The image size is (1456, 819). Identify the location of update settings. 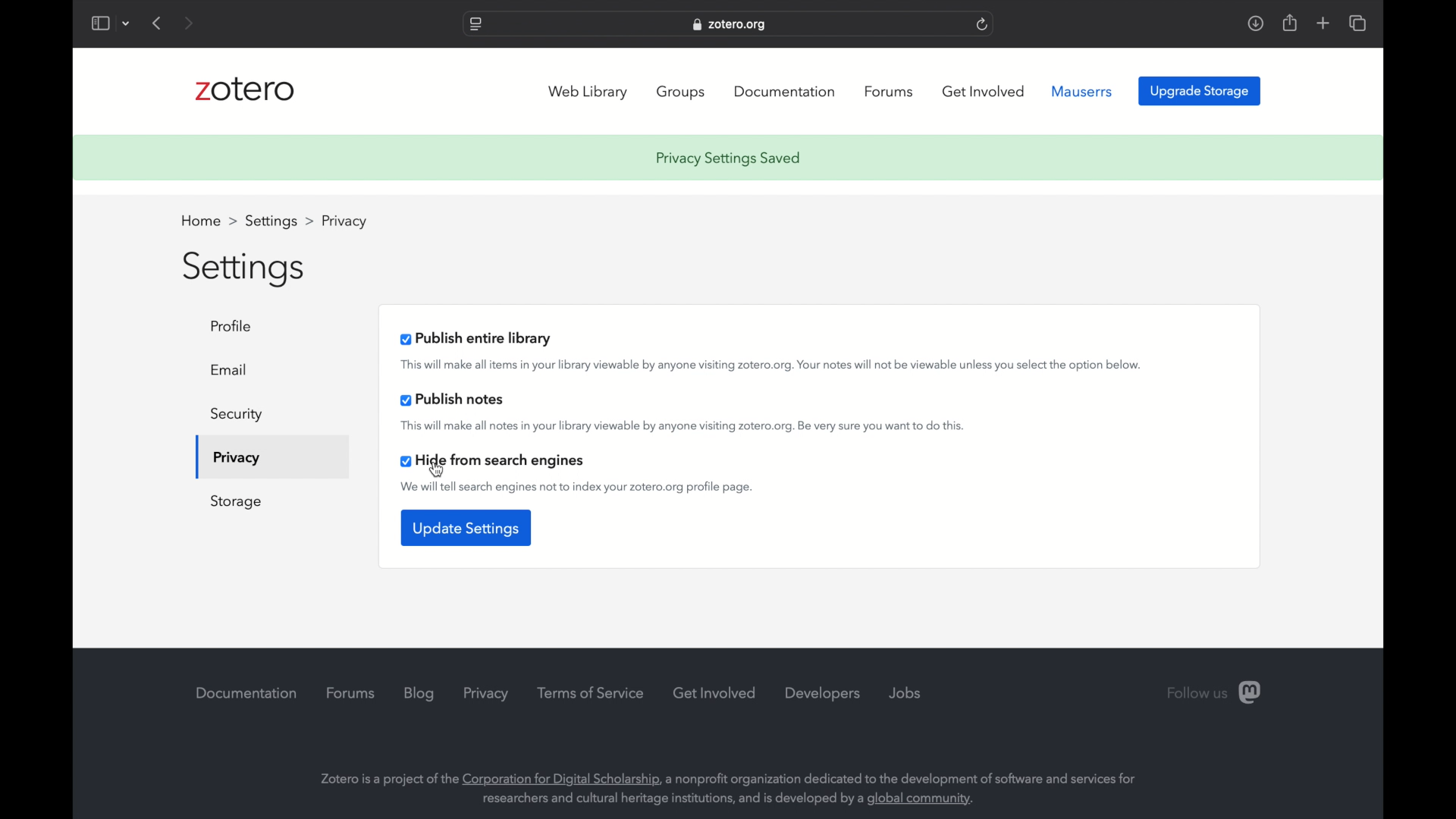
(465, 526).